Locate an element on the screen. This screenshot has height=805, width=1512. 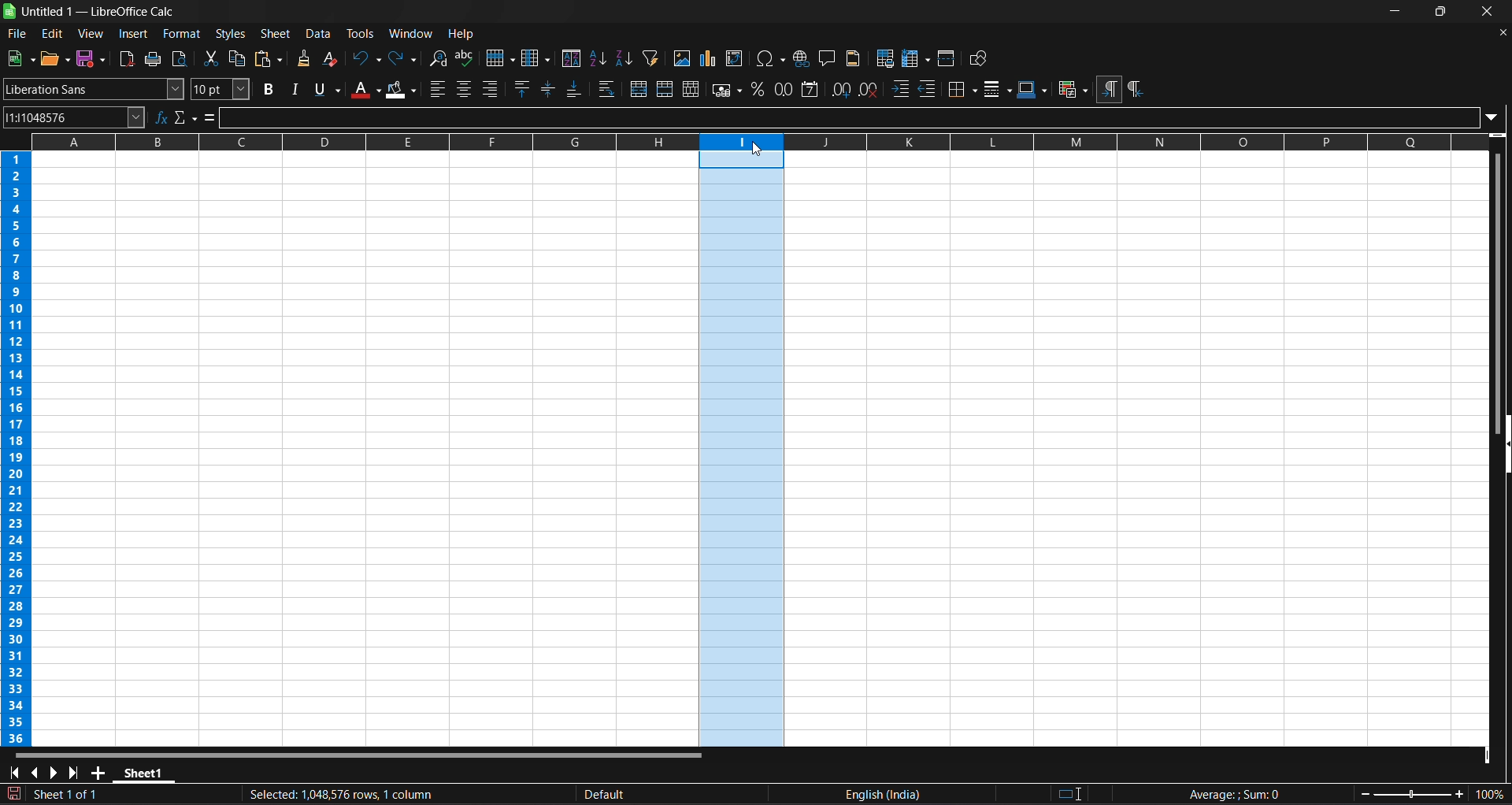
tools is located at coordinates (361, 32).